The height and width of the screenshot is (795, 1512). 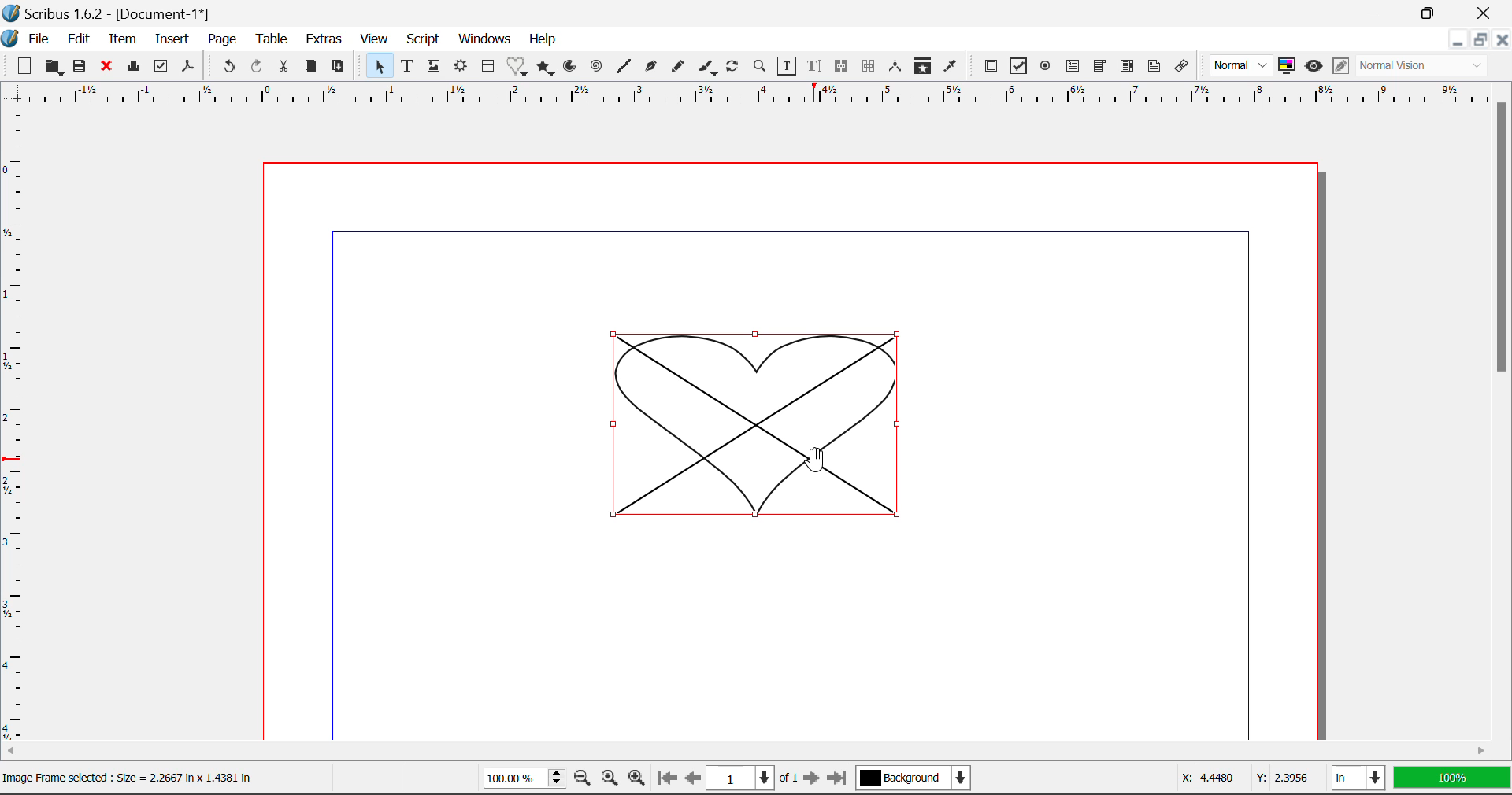 I want to click on Select, so click(x=379, y=66).